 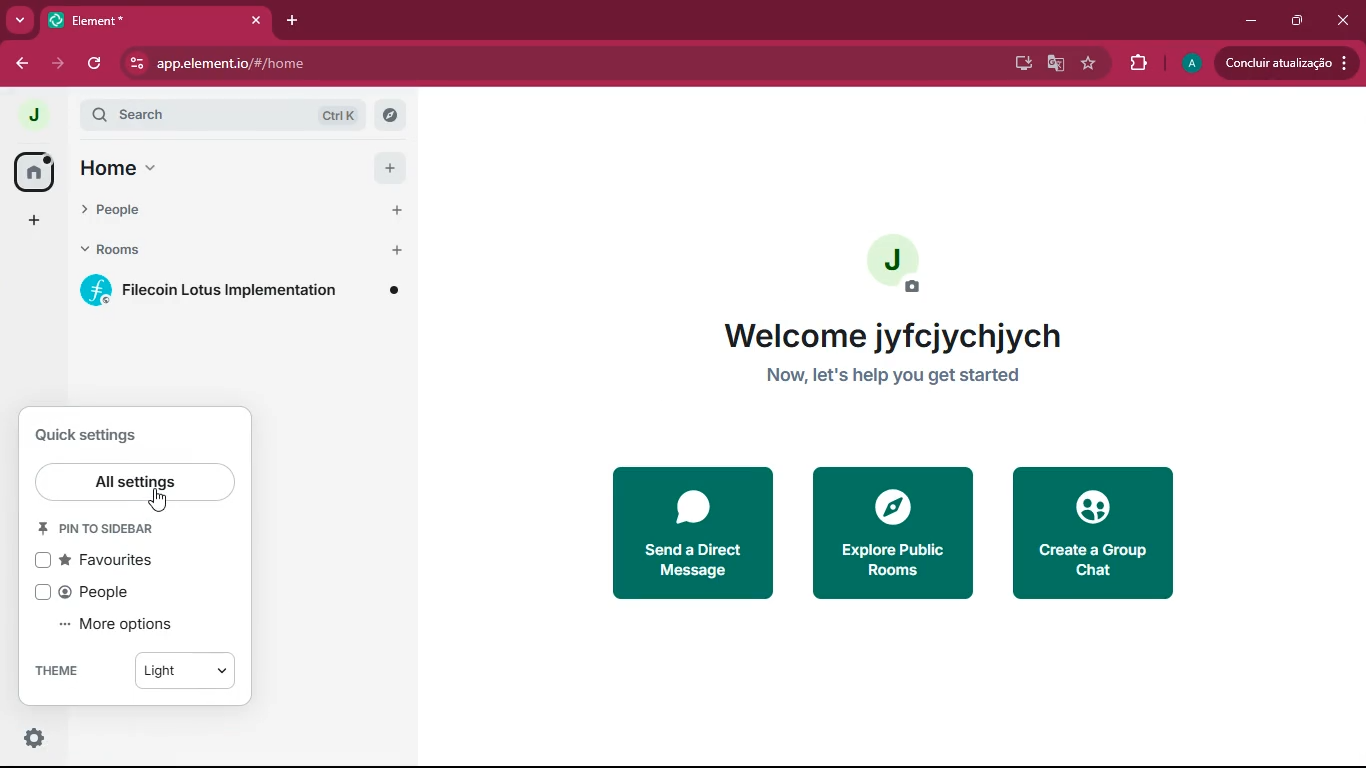 What do you see at coordinates (387, 166) in the screenshot?
I see `add button` at bounding box center [387, 166].